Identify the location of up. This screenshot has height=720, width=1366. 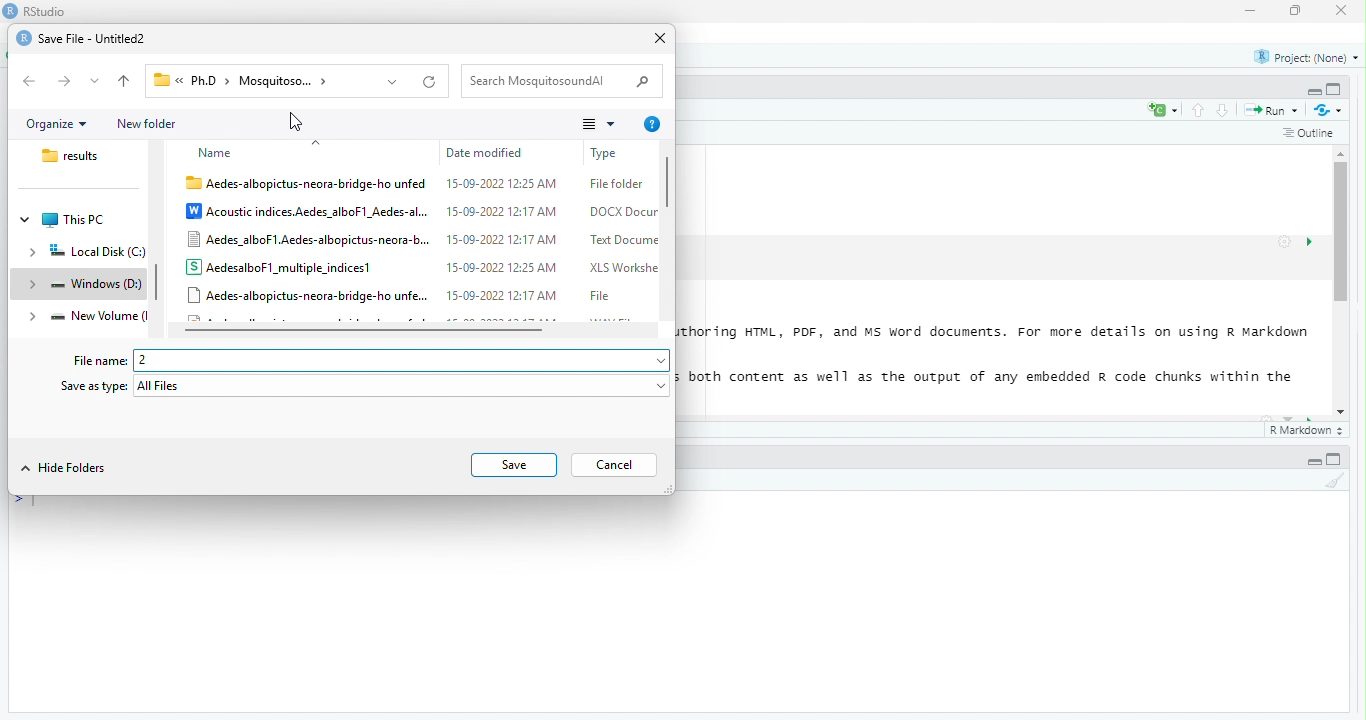
(1199, 110).